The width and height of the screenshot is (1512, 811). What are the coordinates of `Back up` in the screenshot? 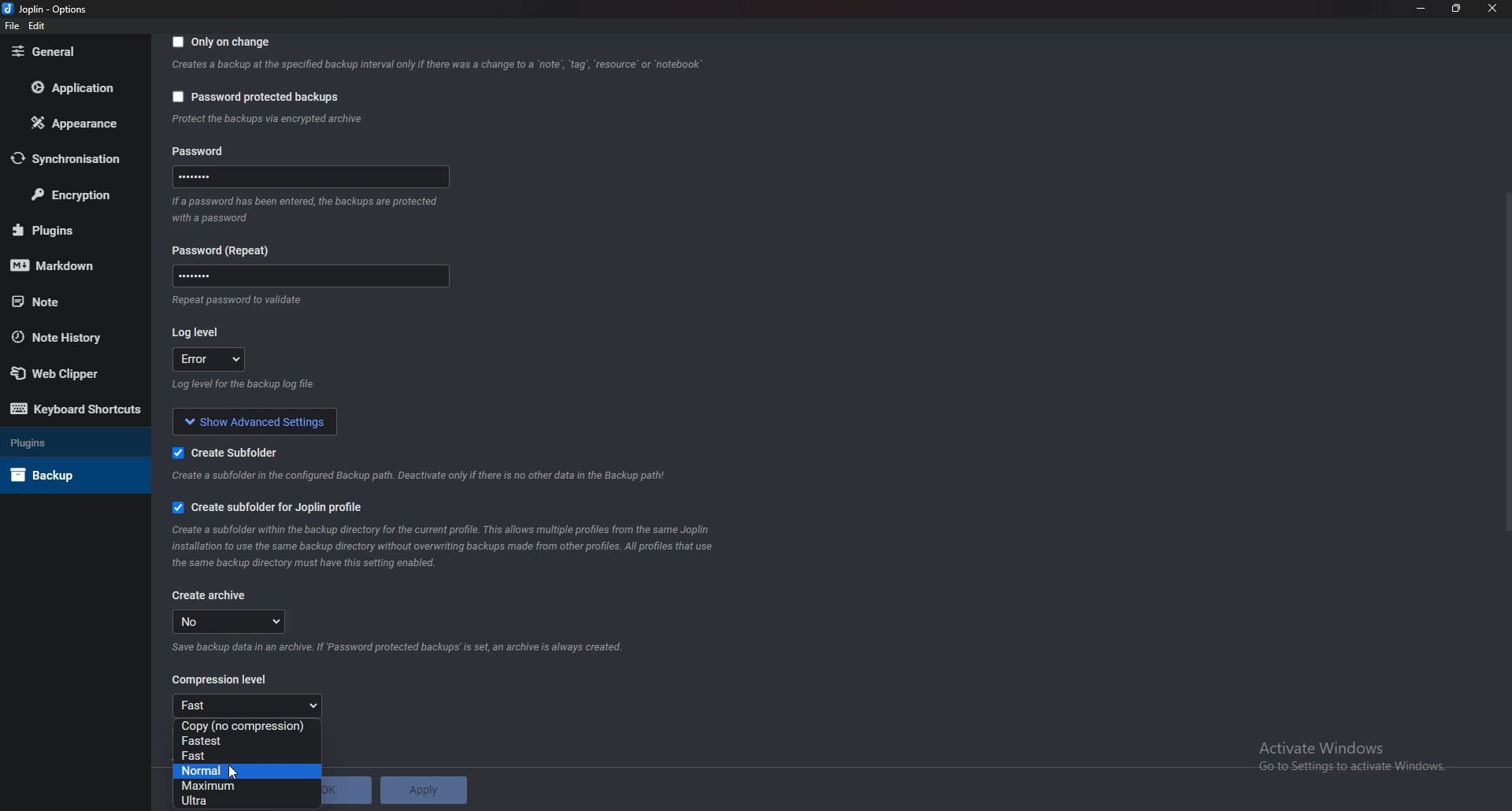 It's located at (65, 475).